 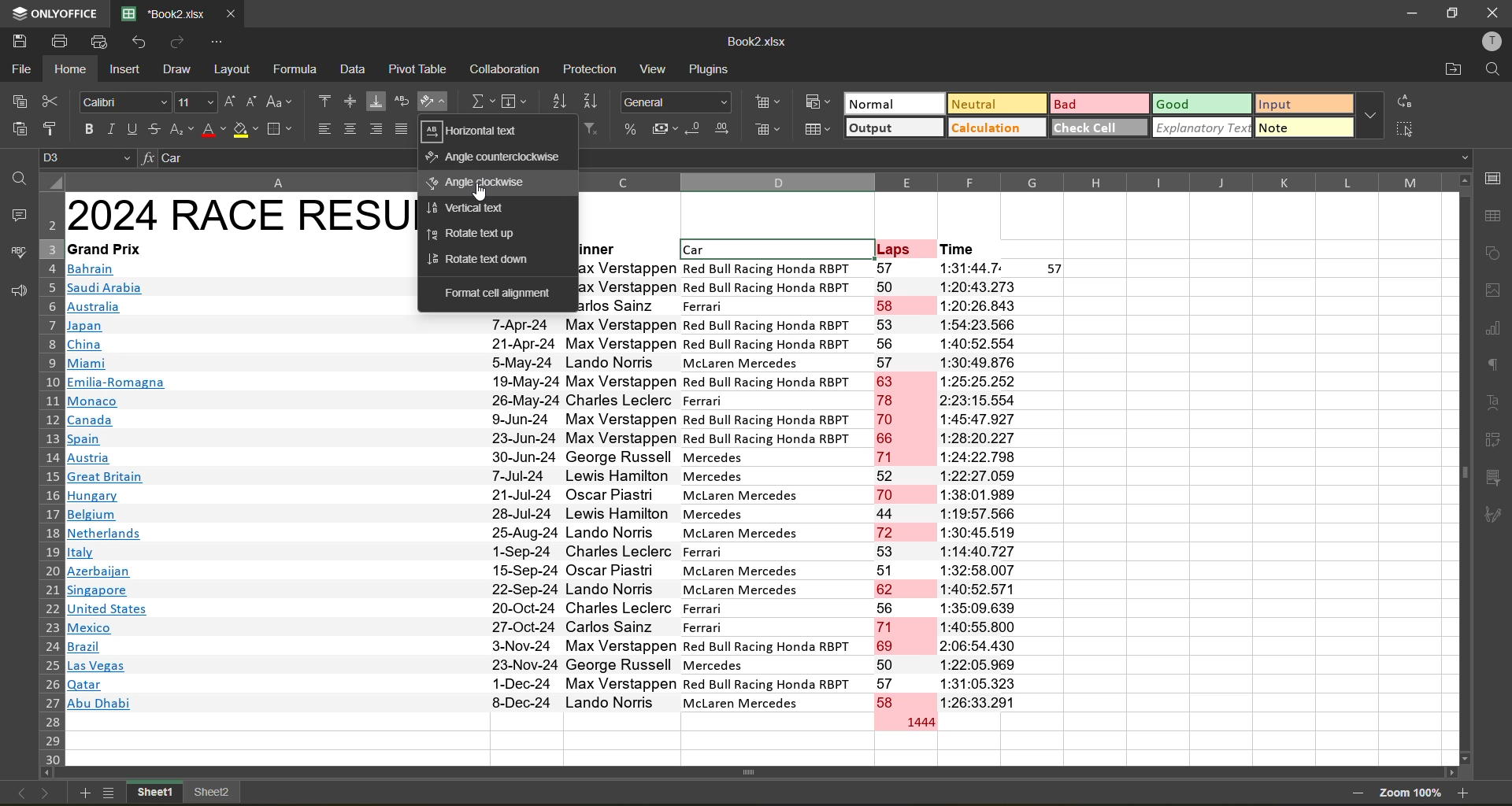 I want to click on view, so click(x=657, y=68).